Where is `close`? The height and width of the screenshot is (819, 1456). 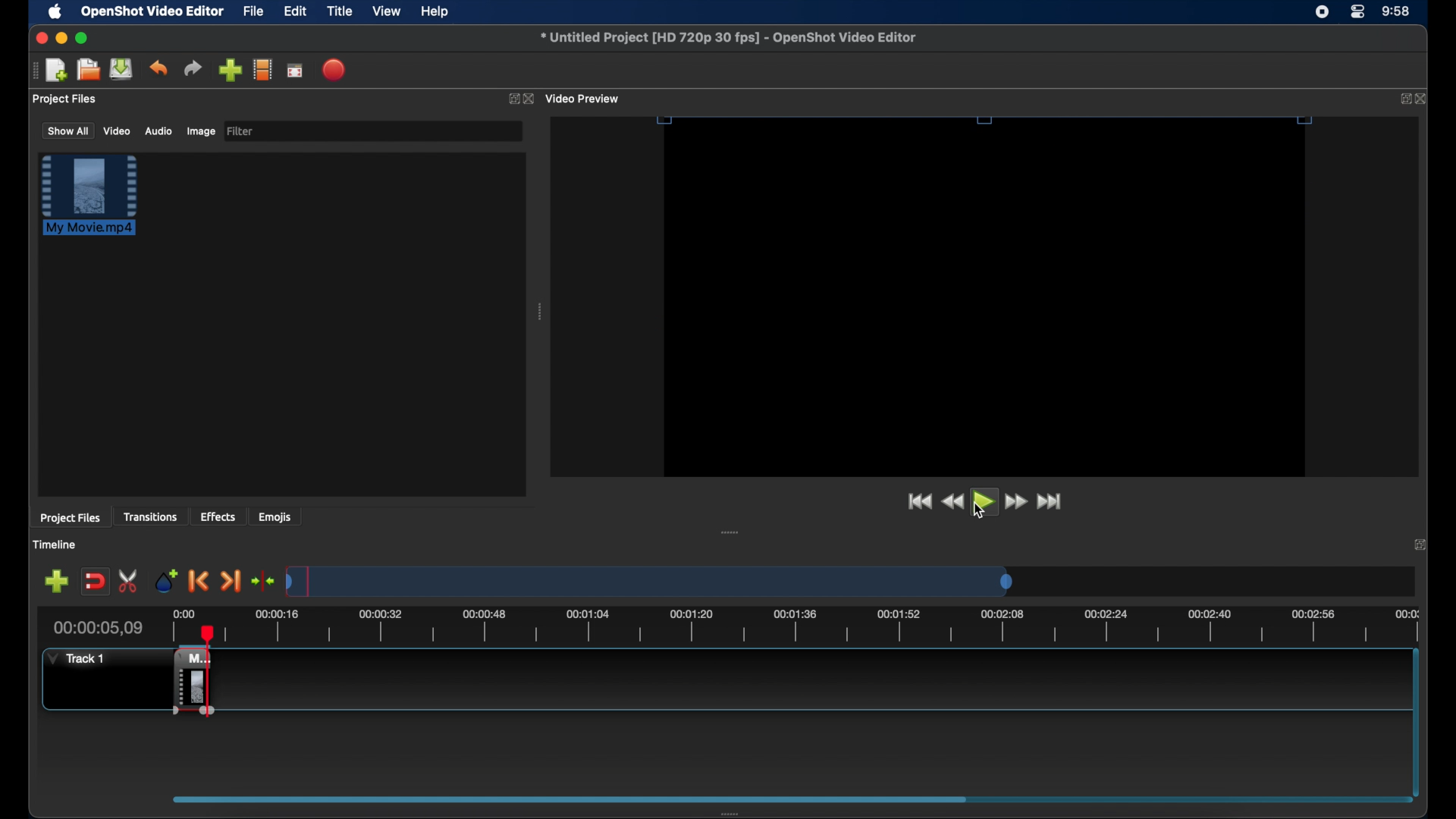
close is located at coordinates (531, 99).